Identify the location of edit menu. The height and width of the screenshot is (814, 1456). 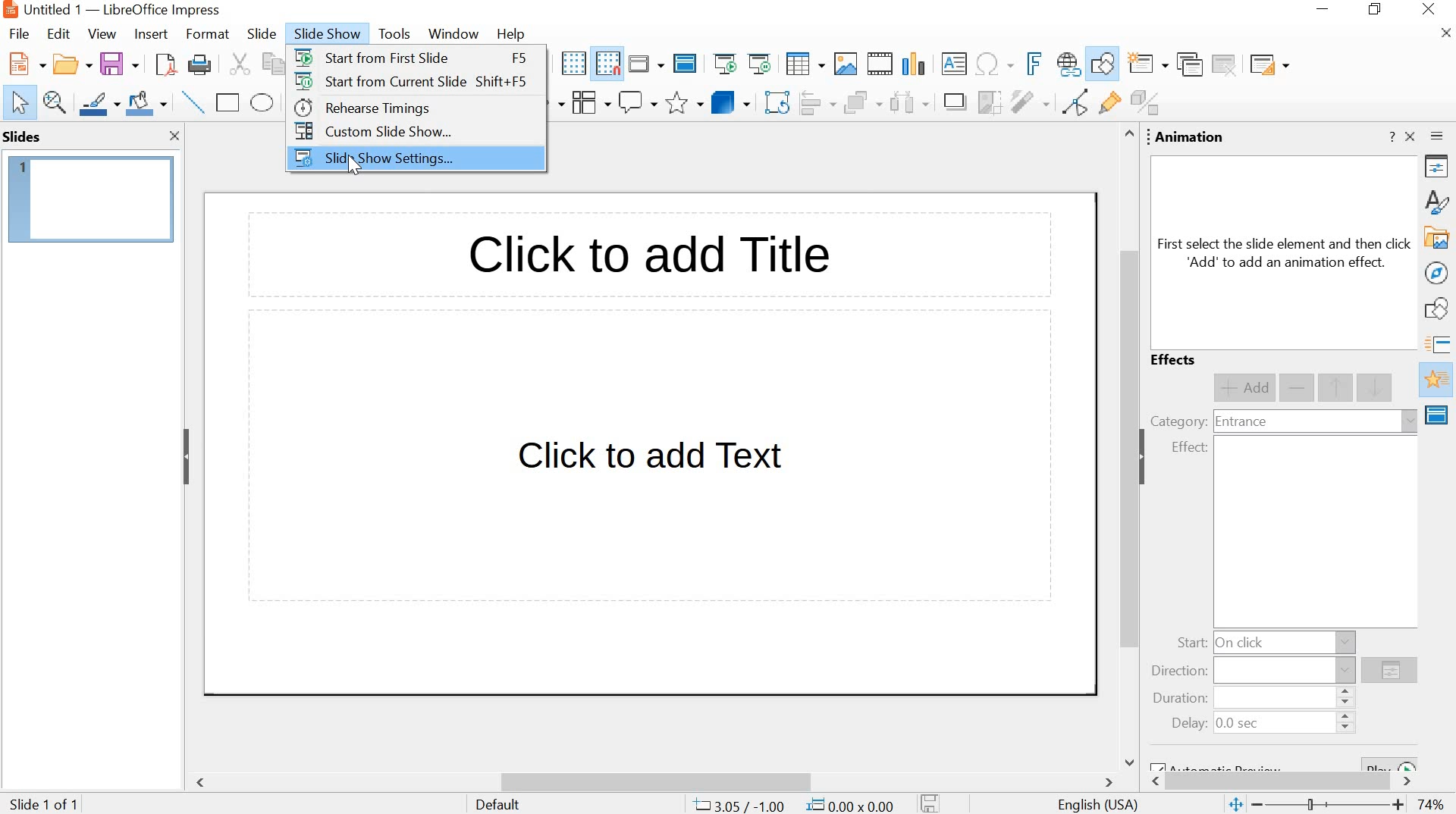
(58, 34).